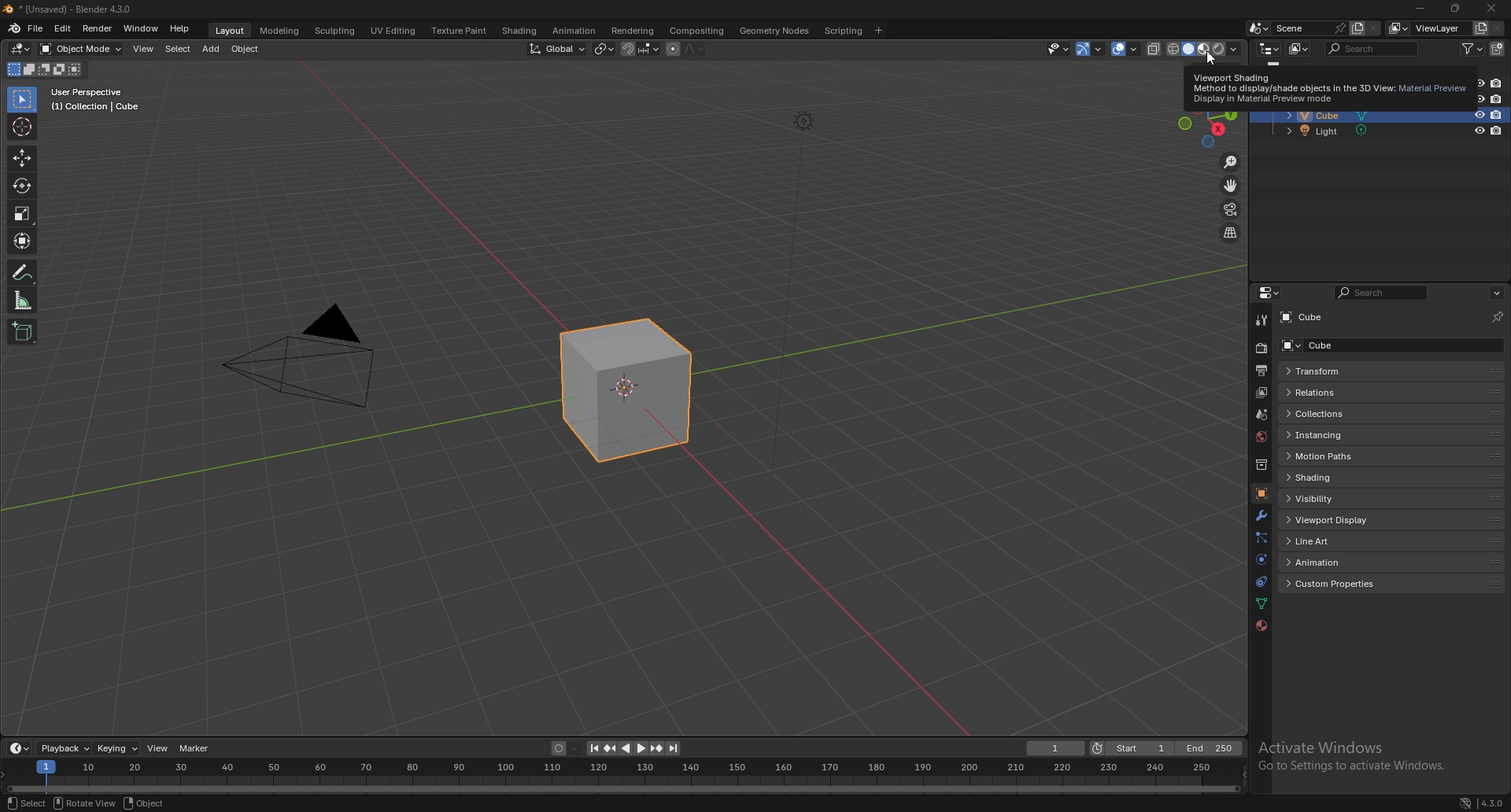 The image size is (1511, 812). Describe the element at coordinates (1373, 48) in the screenshot. I see `search` at that location.